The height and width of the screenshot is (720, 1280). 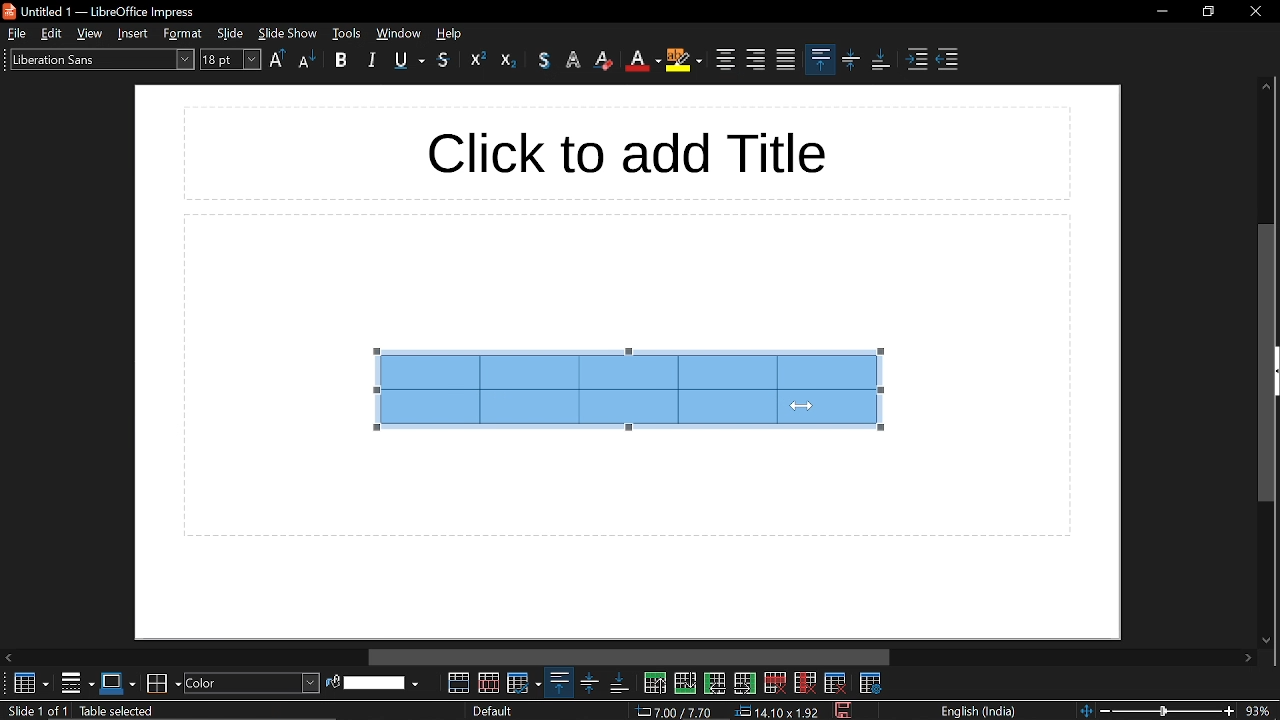 What do you see at coordinates (277, 58) in the screenshot?
I see `upper case` at bounding box center [277, 58].